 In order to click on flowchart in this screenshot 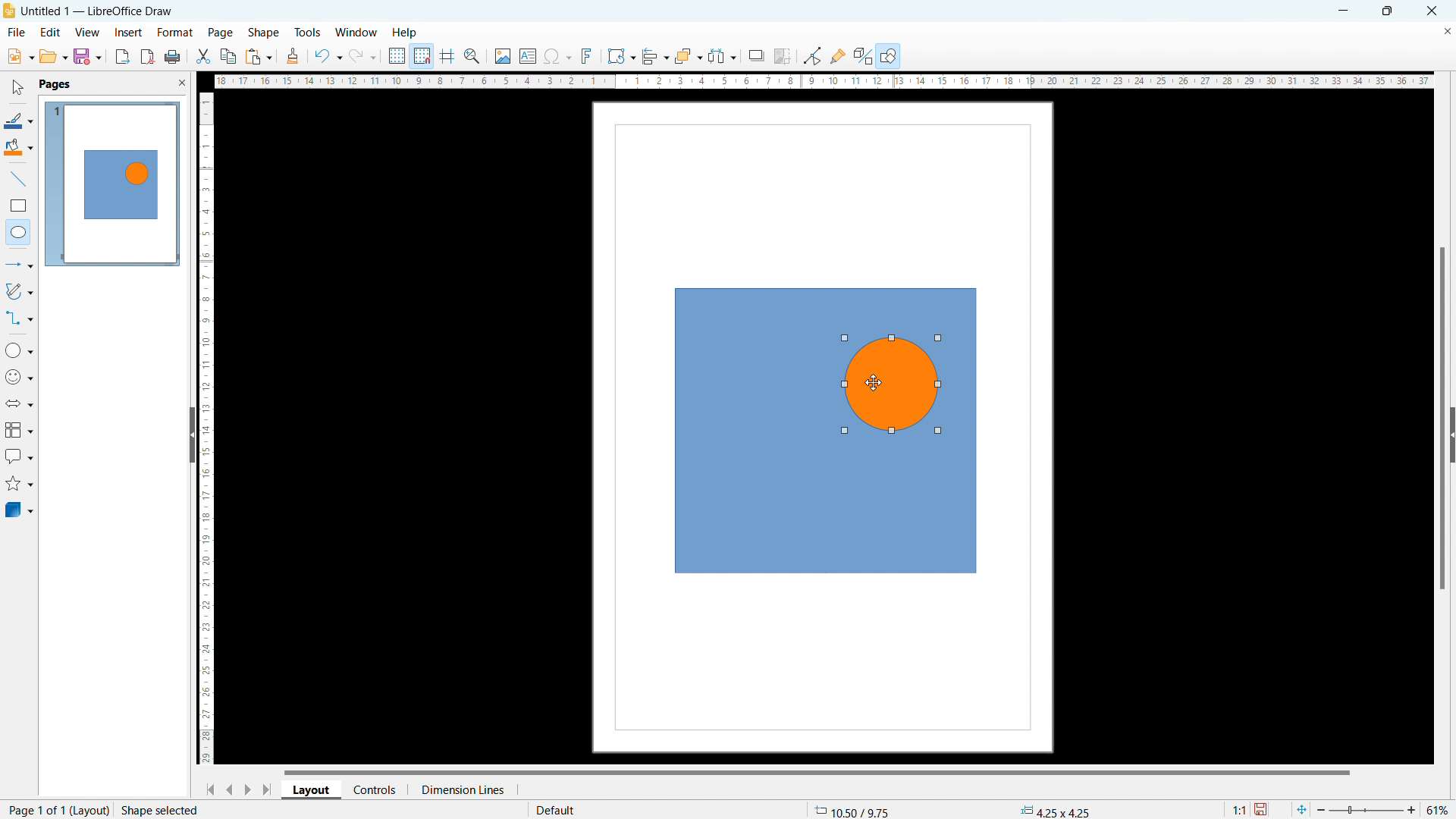, I will do `click(20, 430)`.